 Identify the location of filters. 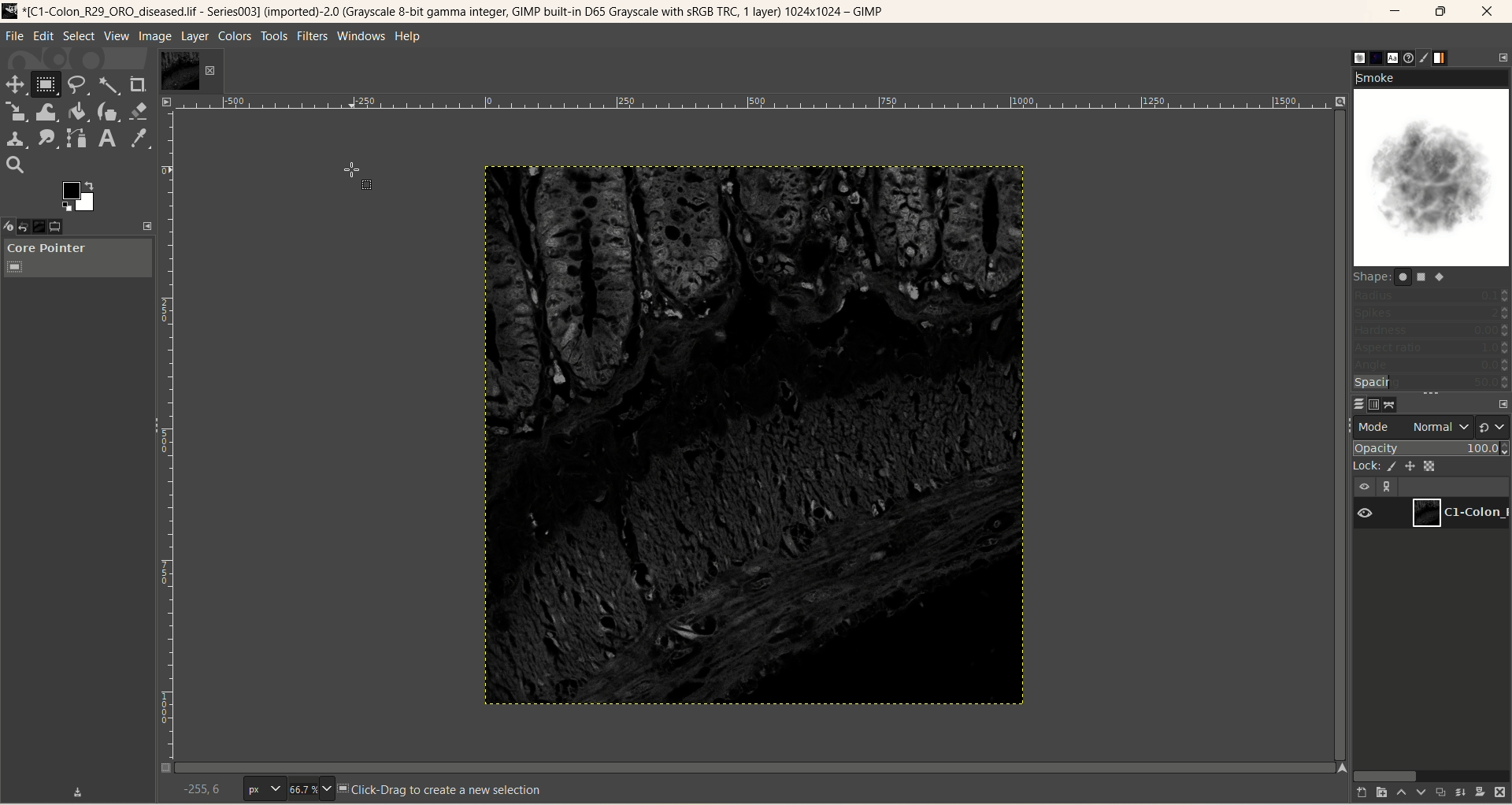
(313, 36).